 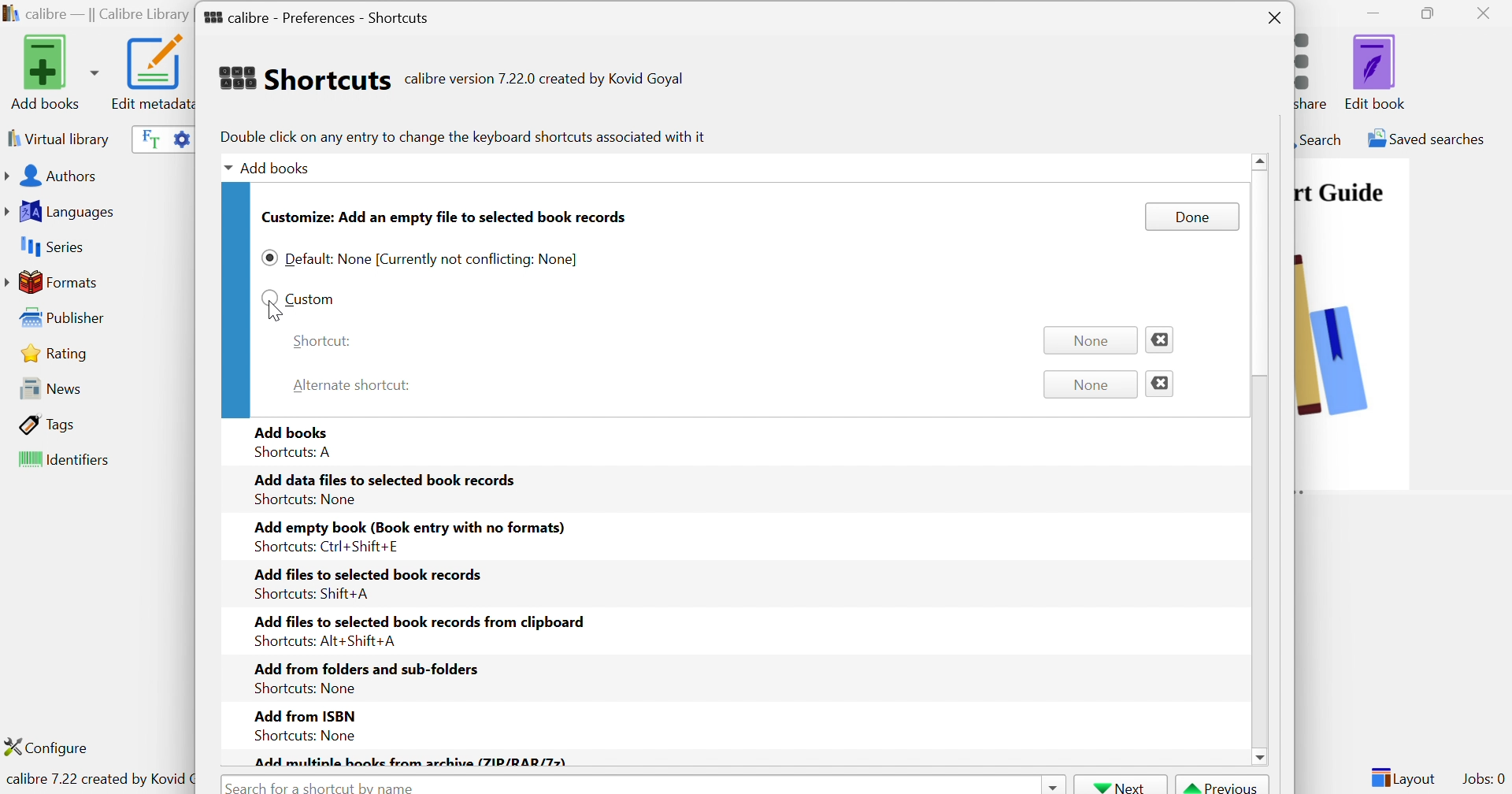 I want to click on Double click on any entry to change the keyboard shortcuts associated with it, so click(x=461, y=136).